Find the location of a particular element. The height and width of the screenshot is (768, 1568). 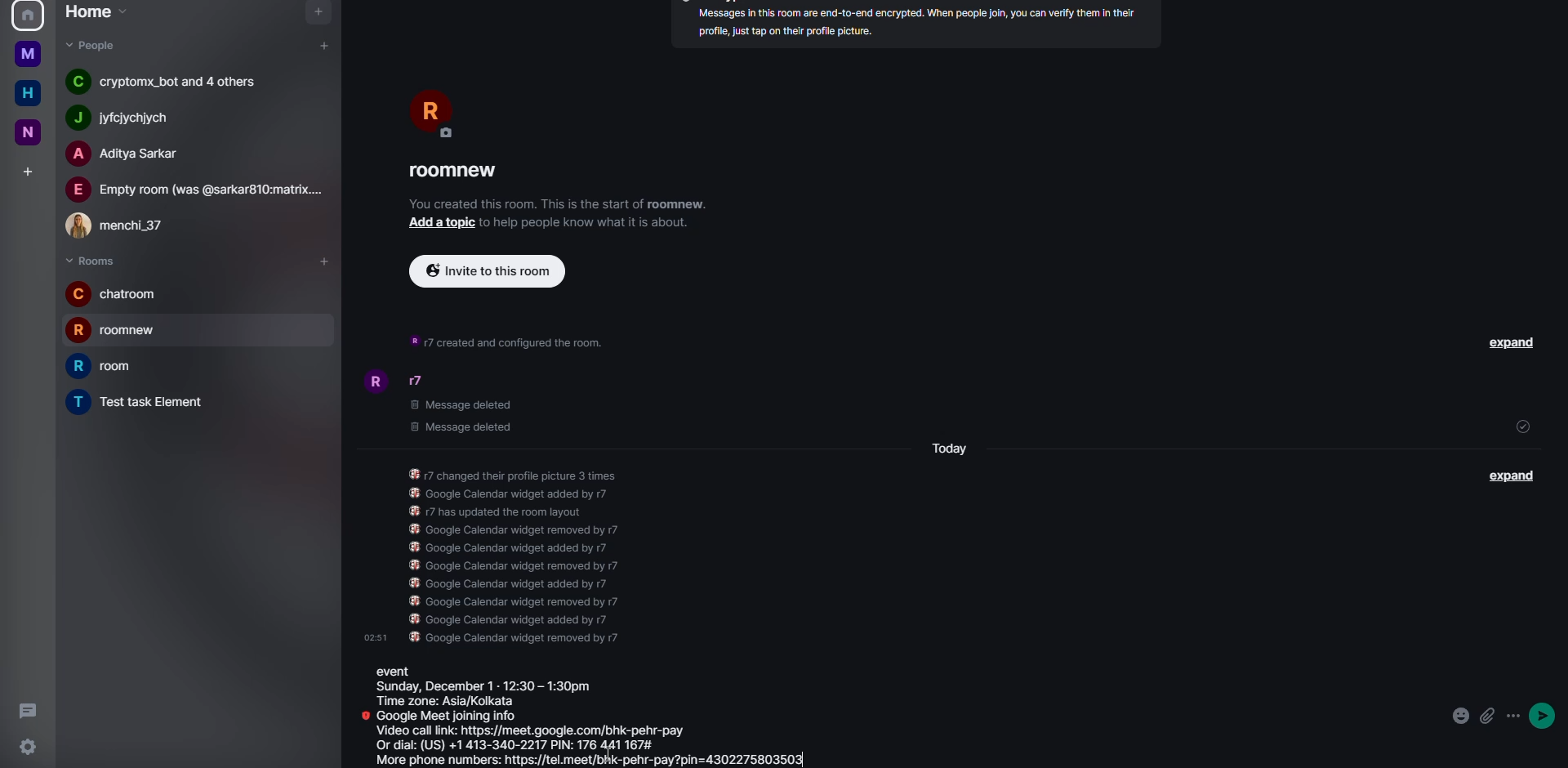

room is located at coordinates (121, 330).